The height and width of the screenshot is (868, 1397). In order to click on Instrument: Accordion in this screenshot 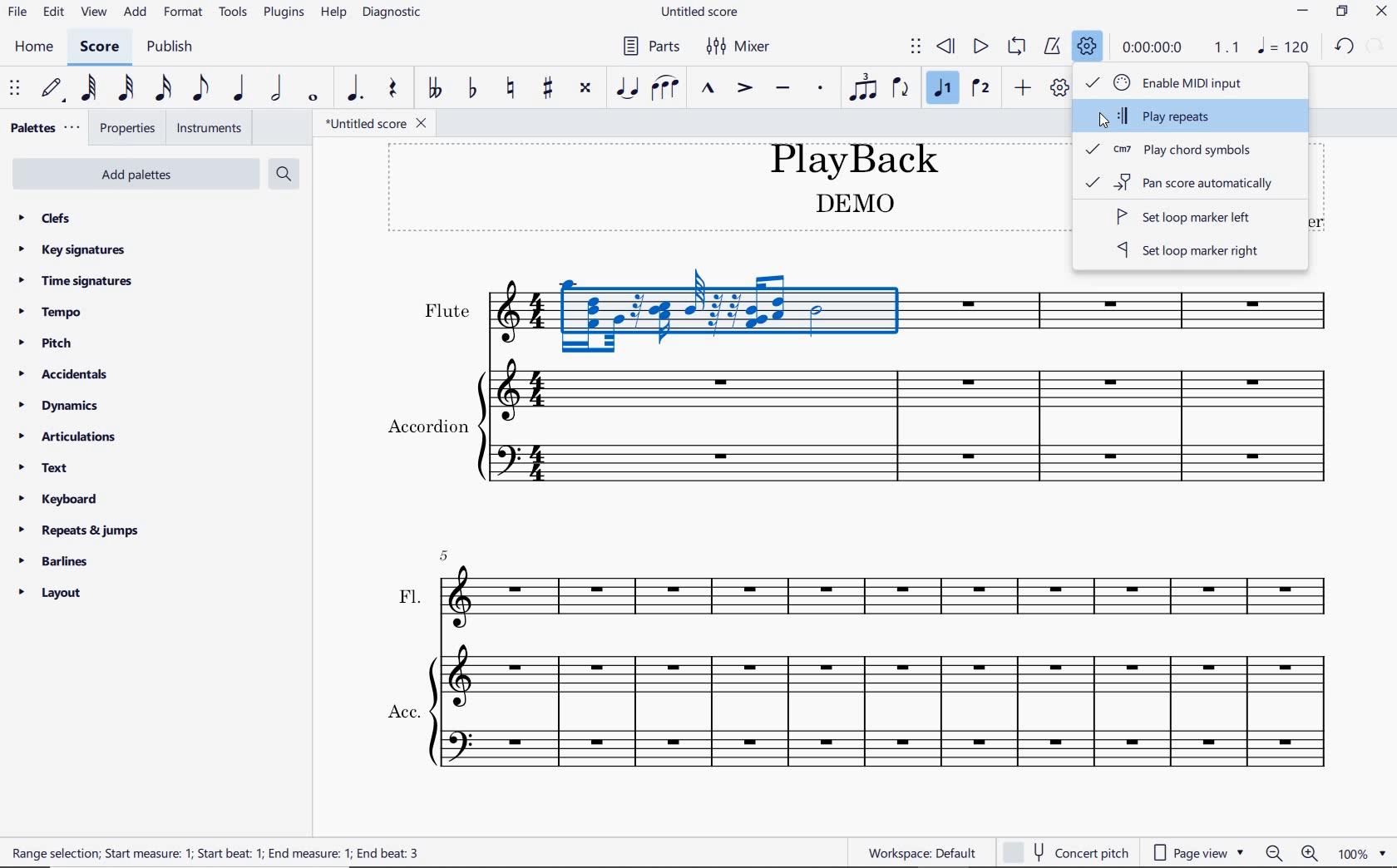, I will do `click(860, 428)`.